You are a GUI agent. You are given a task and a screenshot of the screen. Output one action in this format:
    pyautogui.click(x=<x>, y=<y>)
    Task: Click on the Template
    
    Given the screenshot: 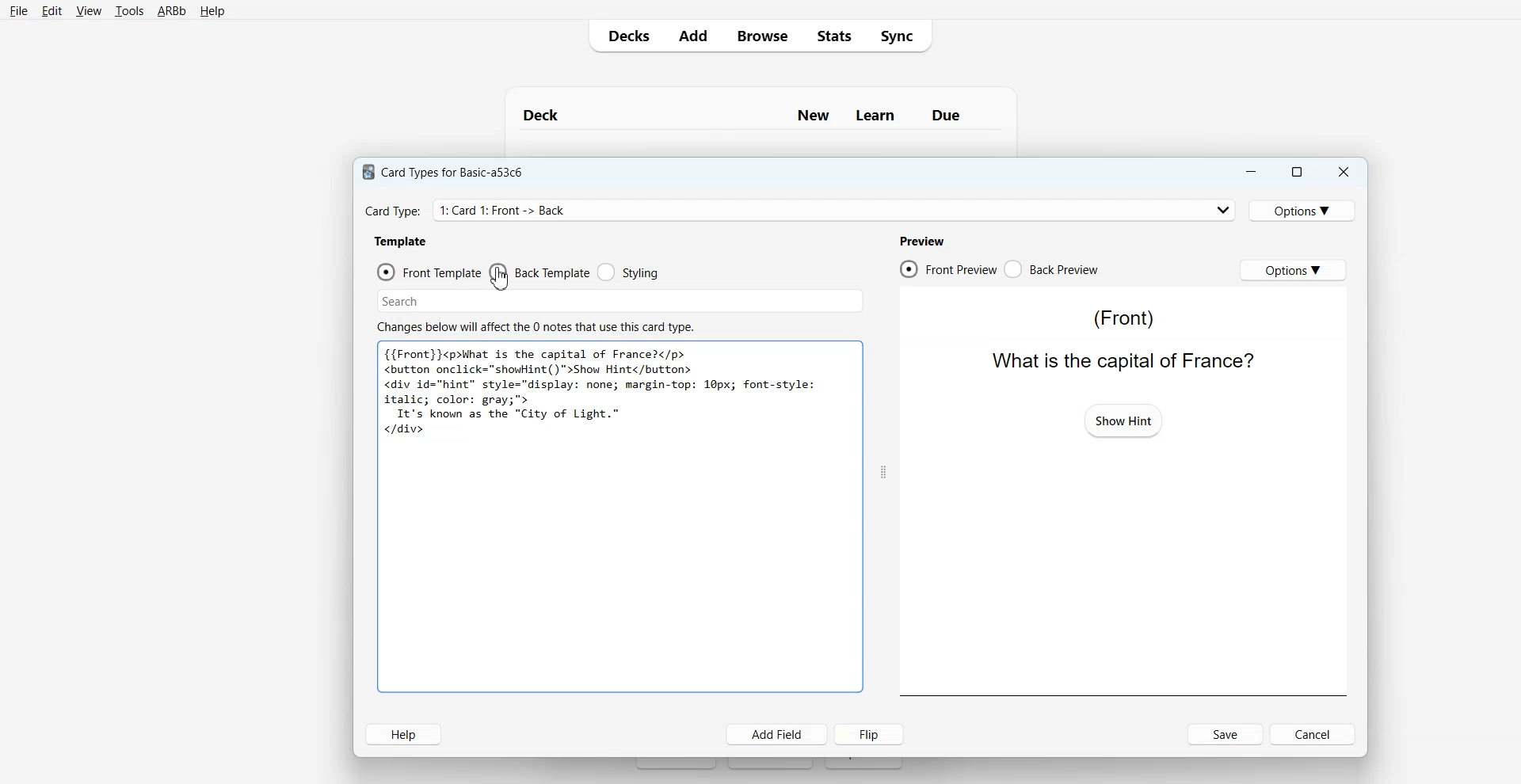 What is the action you would take?
    pyautogui.click(x=402, y=241)
    